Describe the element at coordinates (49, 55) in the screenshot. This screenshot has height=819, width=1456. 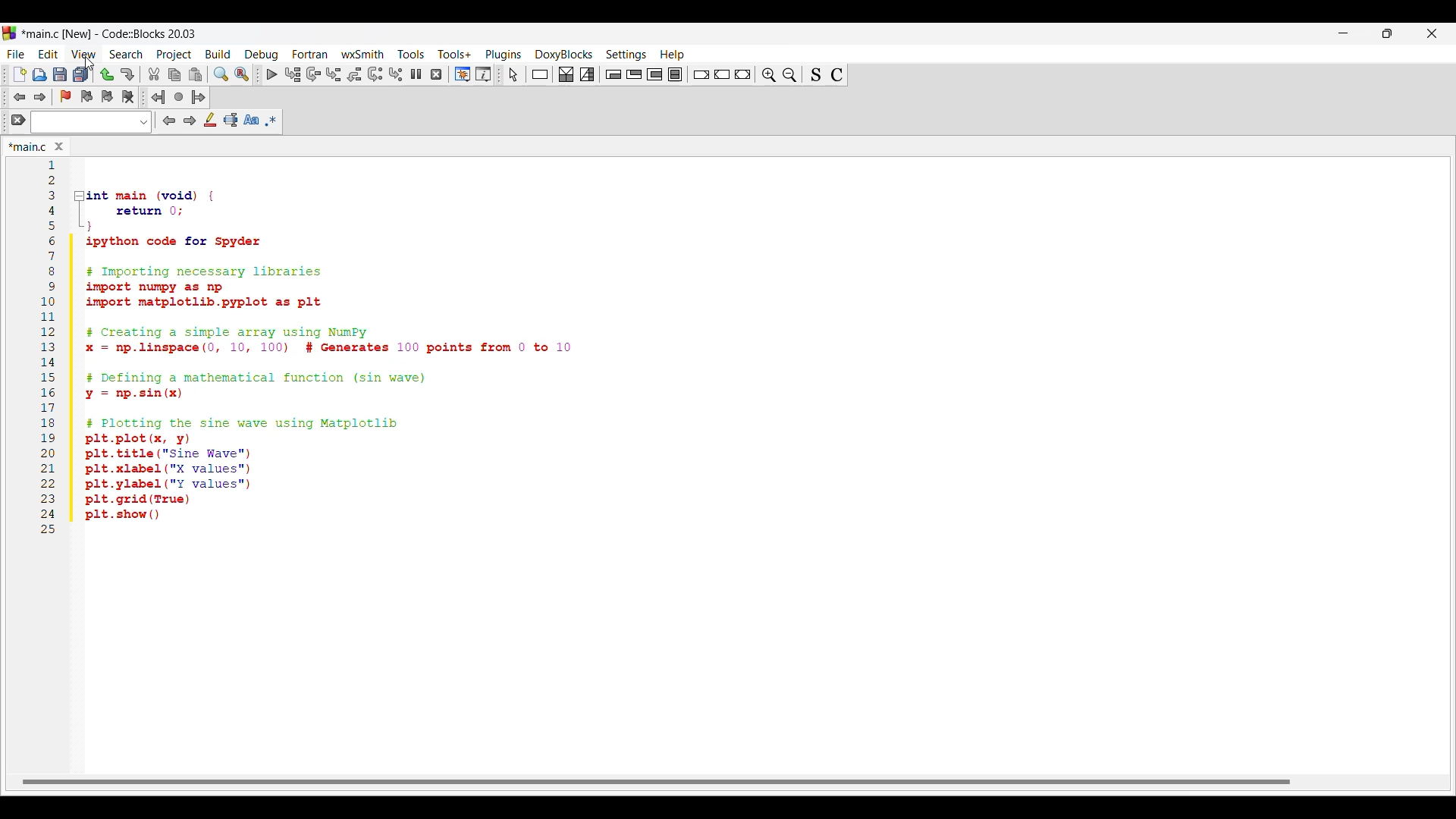
I see `Edit menu` at that location.